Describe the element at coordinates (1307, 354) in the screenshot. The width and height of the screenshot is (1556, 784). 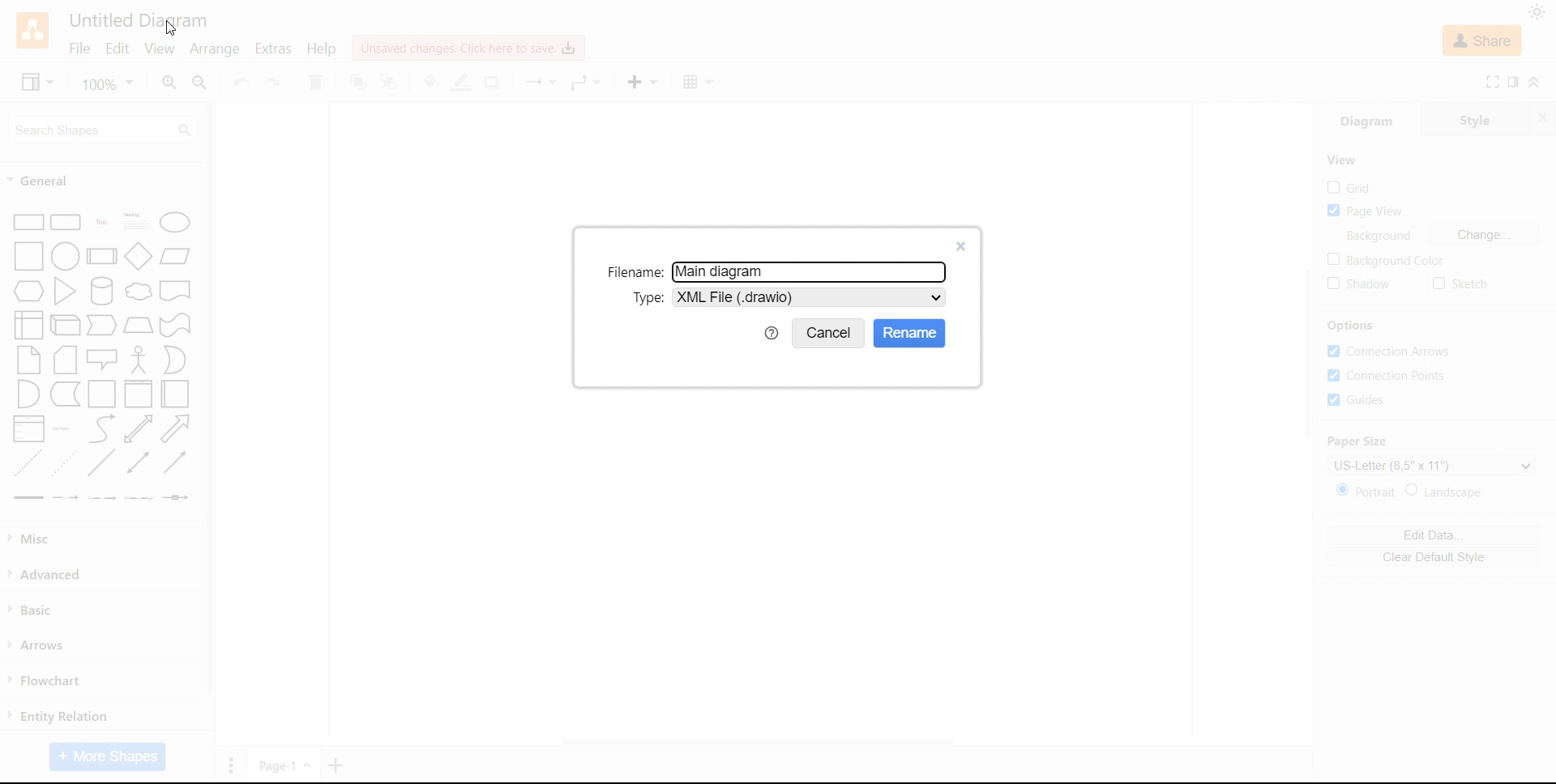
I see `Scroll bar ` at that location.